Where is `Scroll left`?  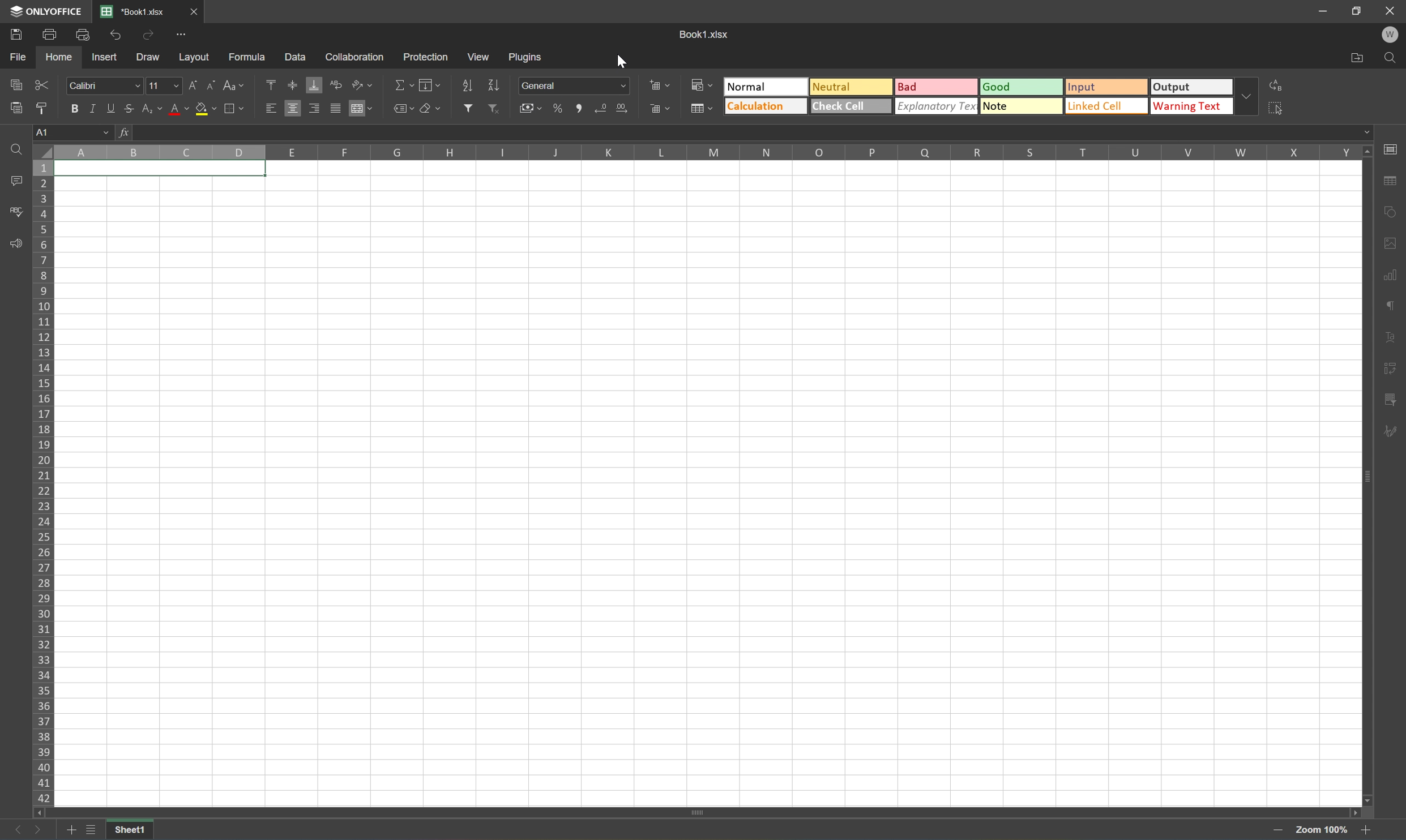
Scroll left is located at coordinates (39, 813).